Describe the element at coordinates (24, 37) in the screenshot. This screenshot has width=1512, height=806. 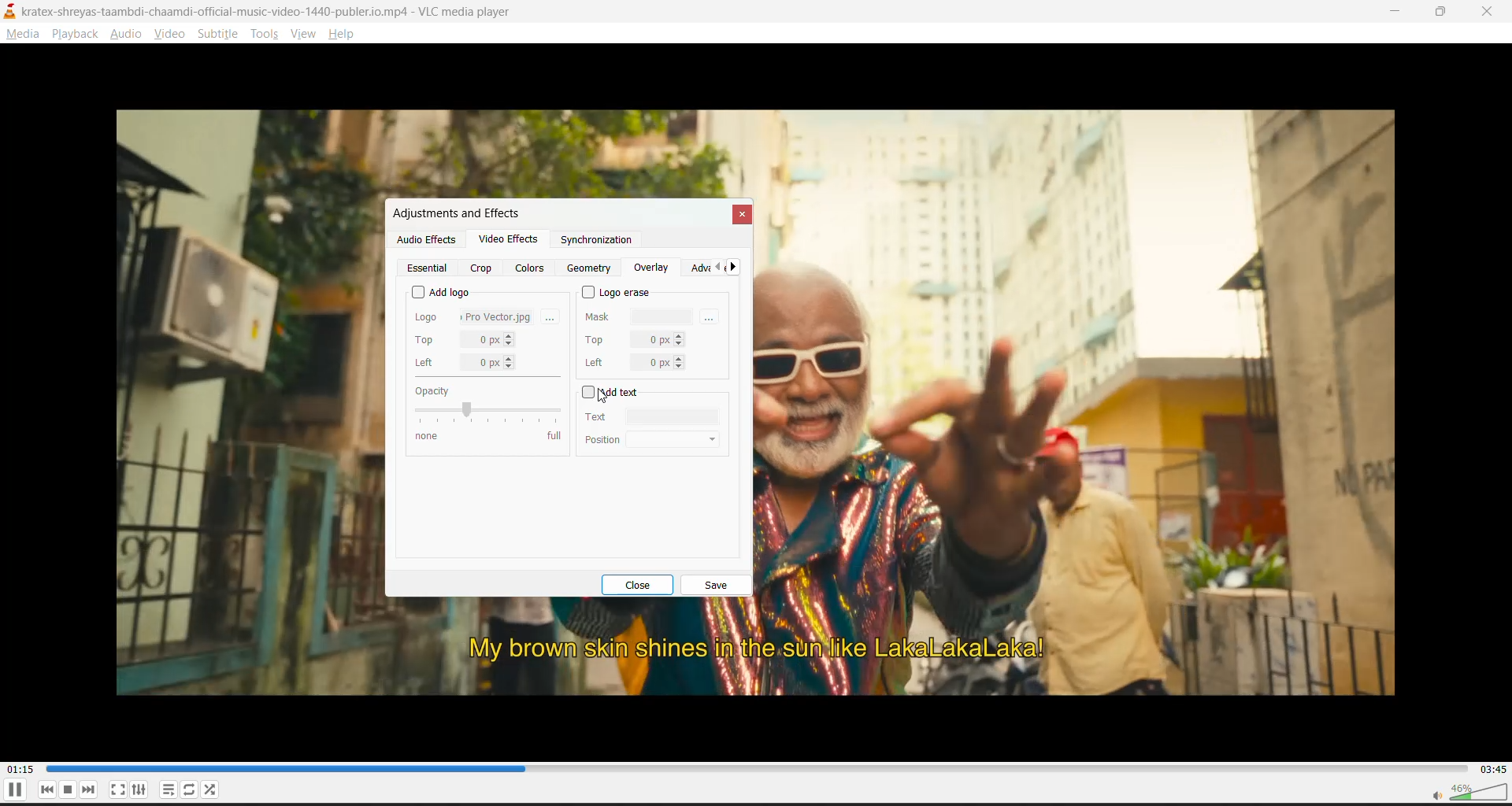
I see `media` at that location.